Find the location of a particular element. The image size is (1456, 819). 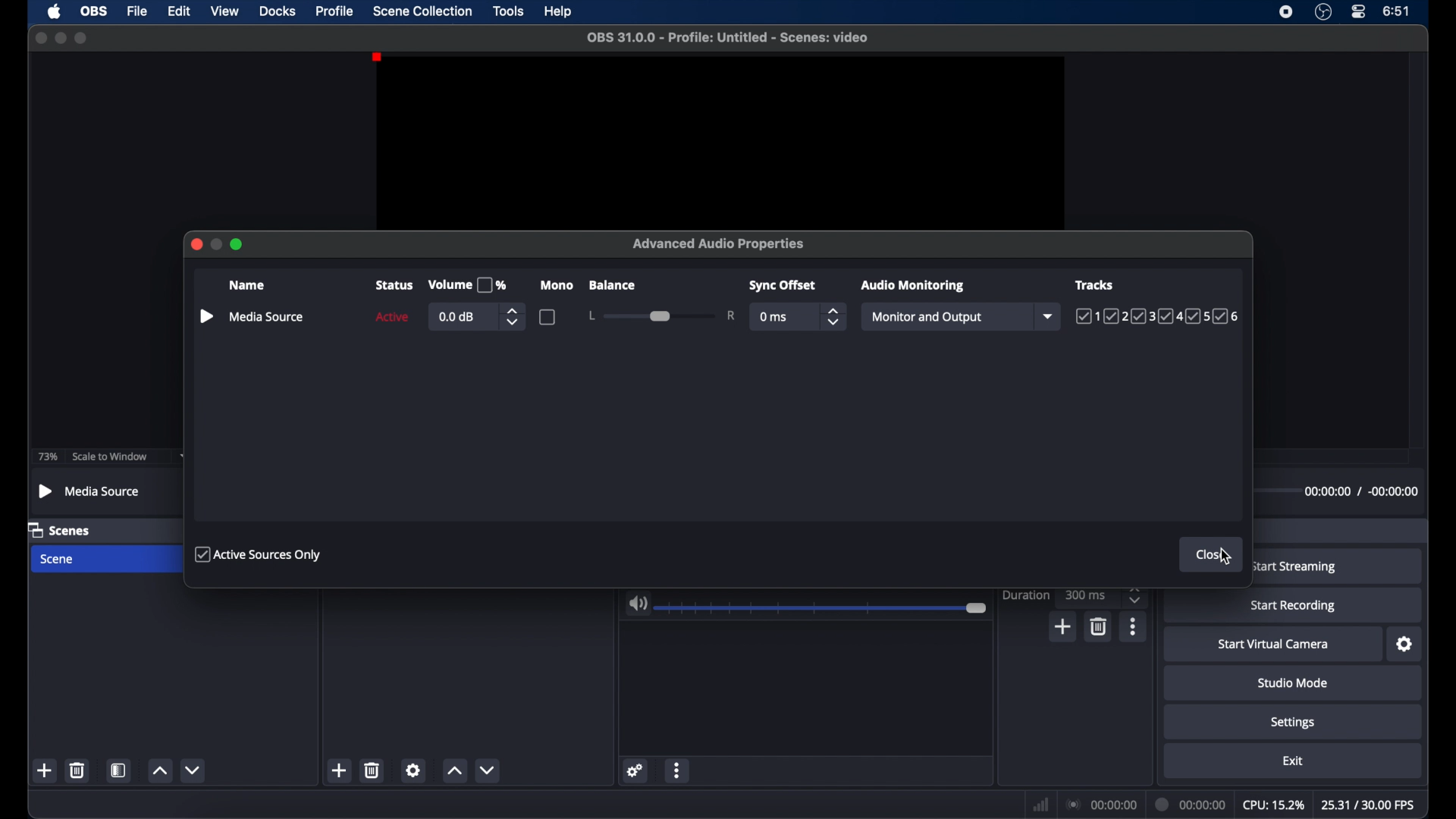

settings is located at coordinates (1294, 723).